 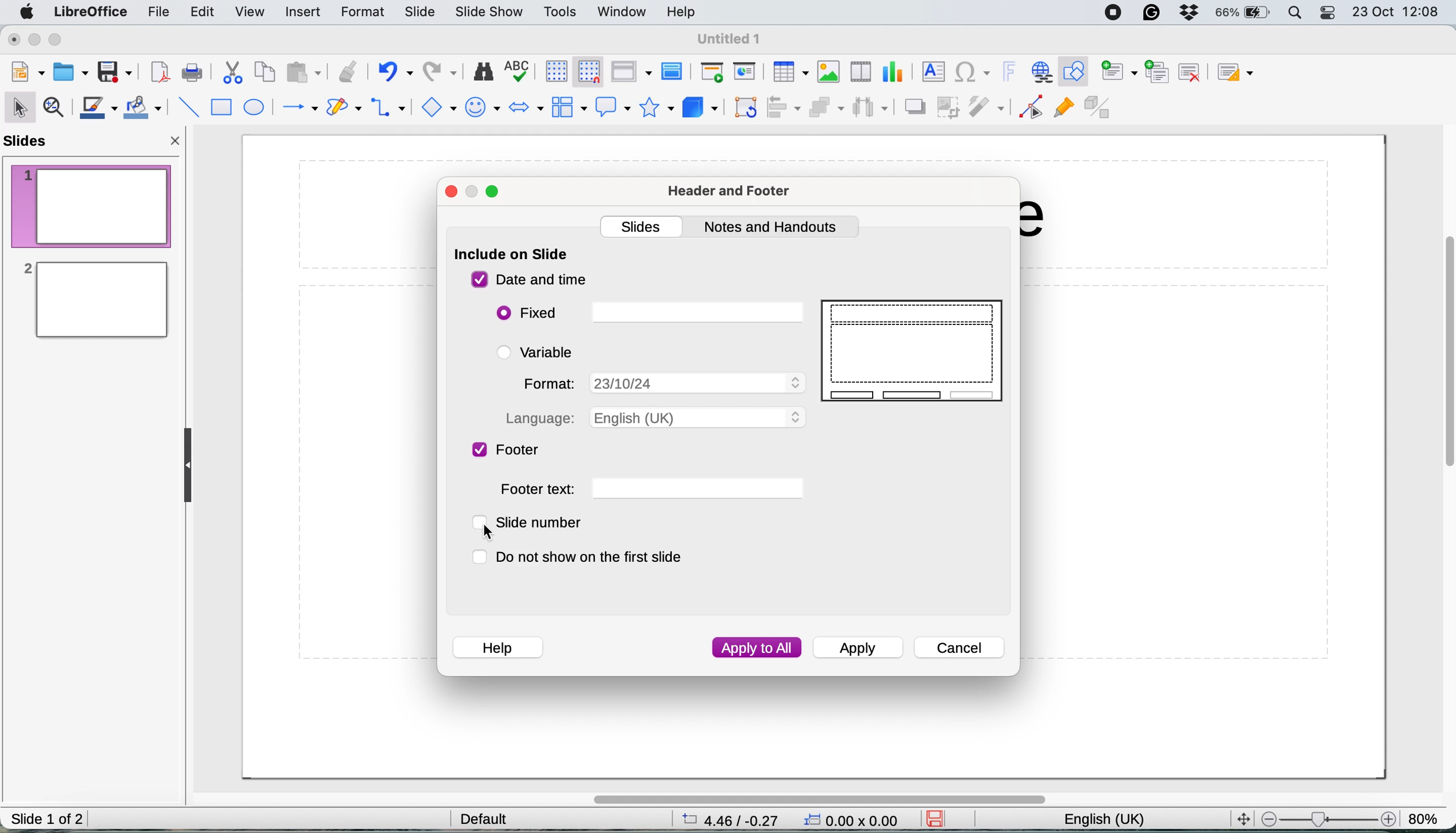 I want to click on screen recorder, so click(x=1117, y=13).